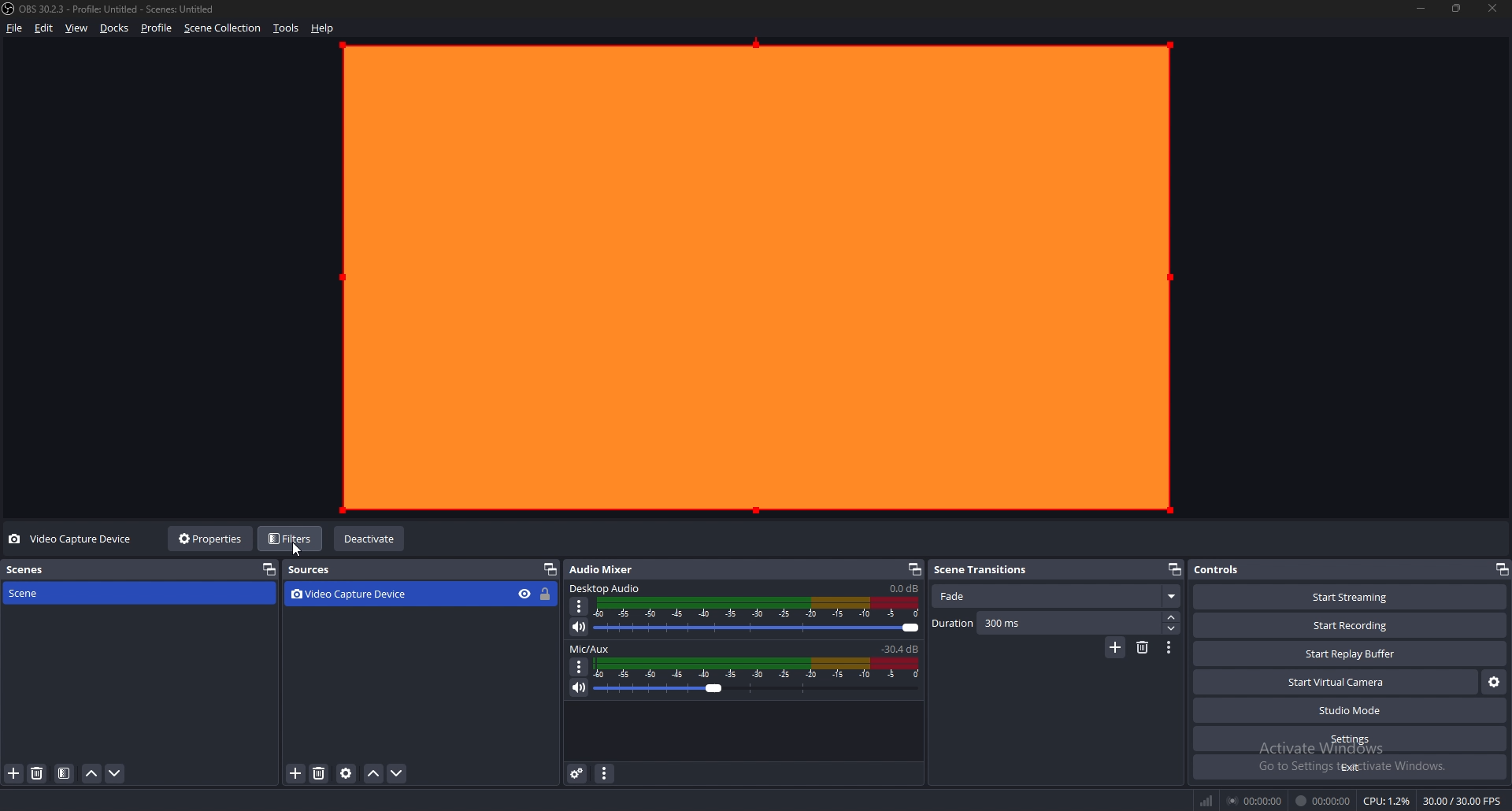  I want to click on properties, so click(213, 538).